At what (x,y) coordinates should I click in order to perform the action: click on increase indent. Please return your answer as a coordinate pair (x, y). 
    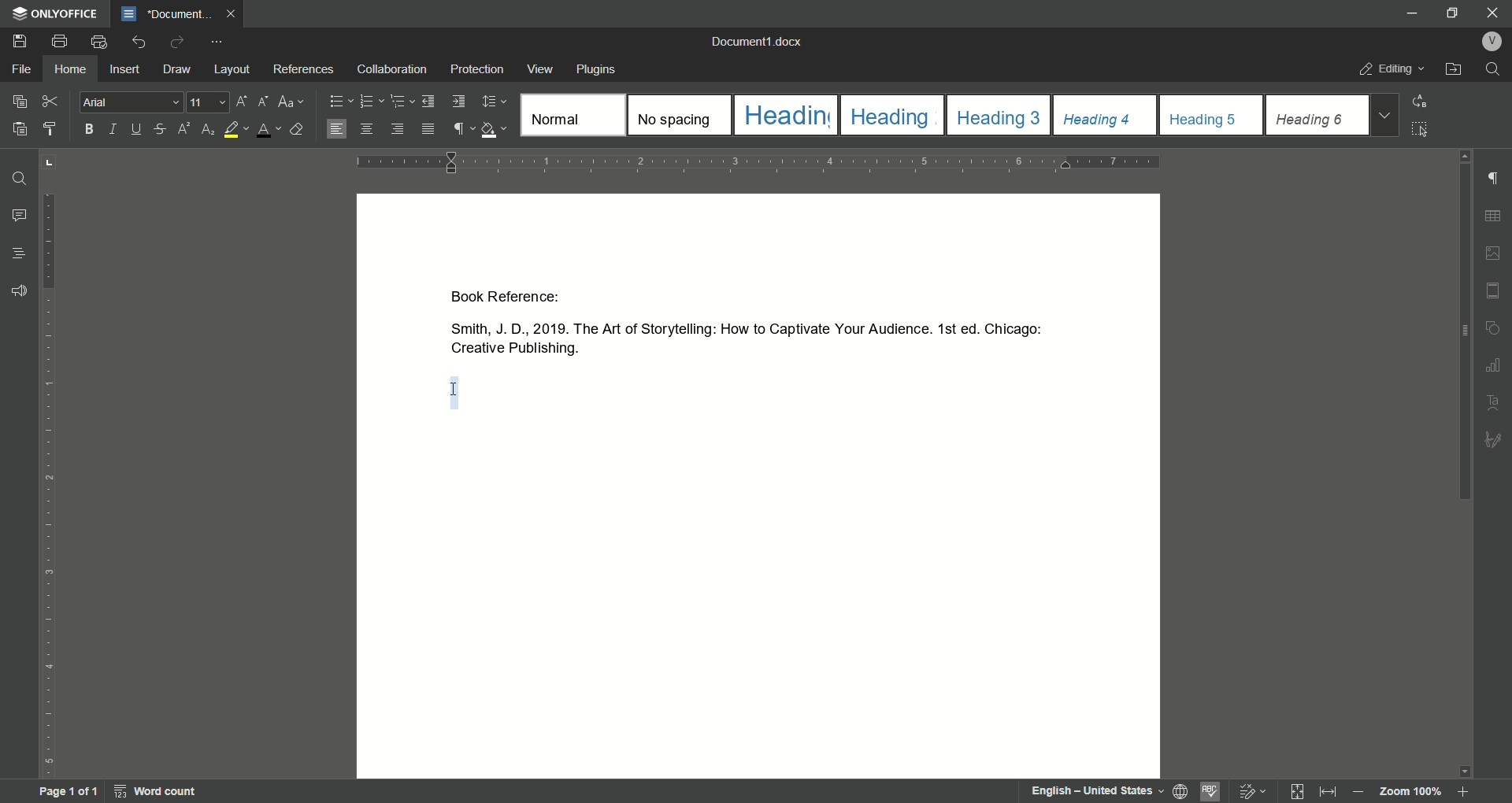
    Looking at the image, I should click on (458, 102).